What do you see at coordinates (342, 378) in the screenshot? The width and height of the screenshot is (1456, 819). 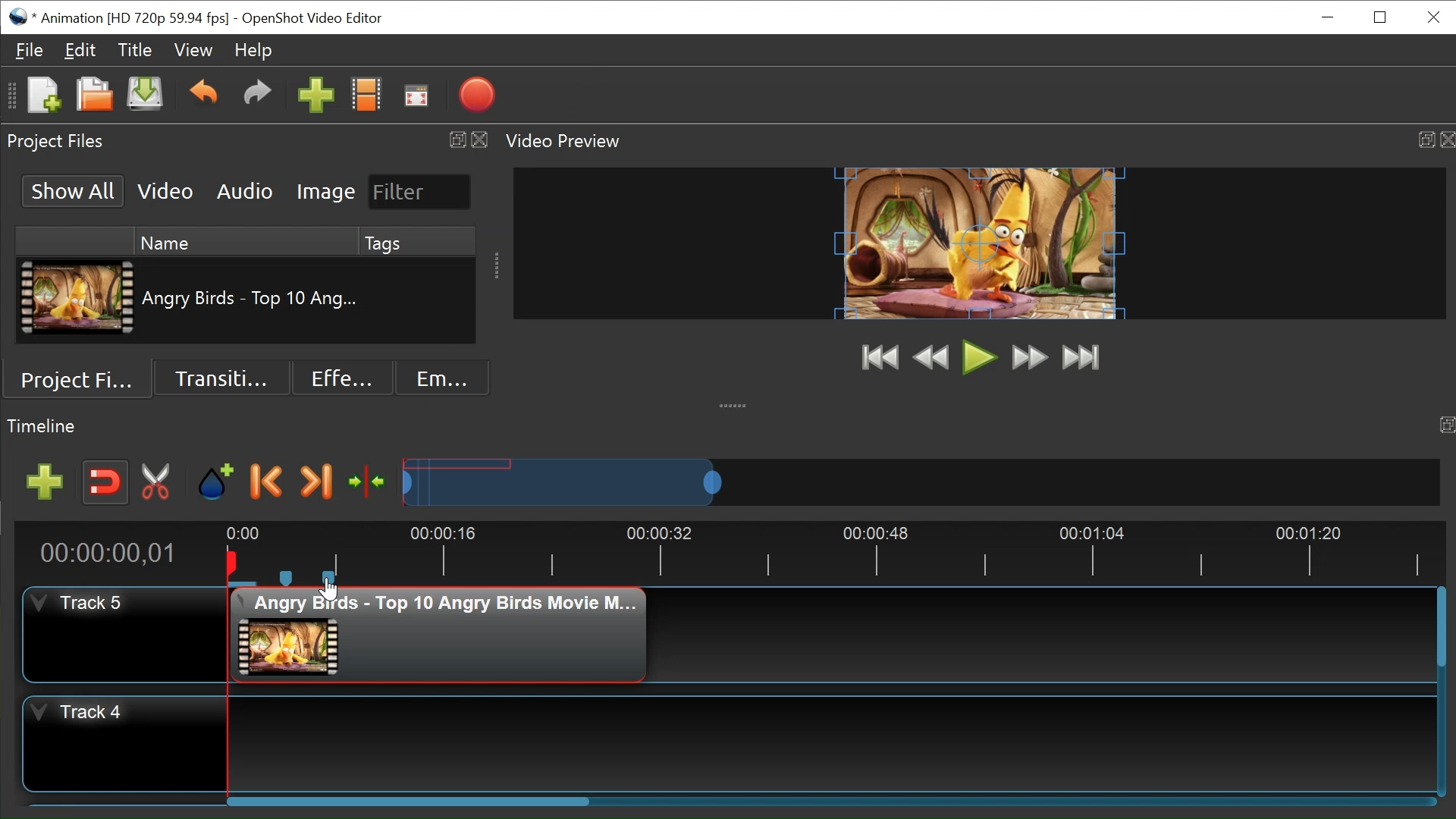 I see `Effects` at bounding box center [342, 378].